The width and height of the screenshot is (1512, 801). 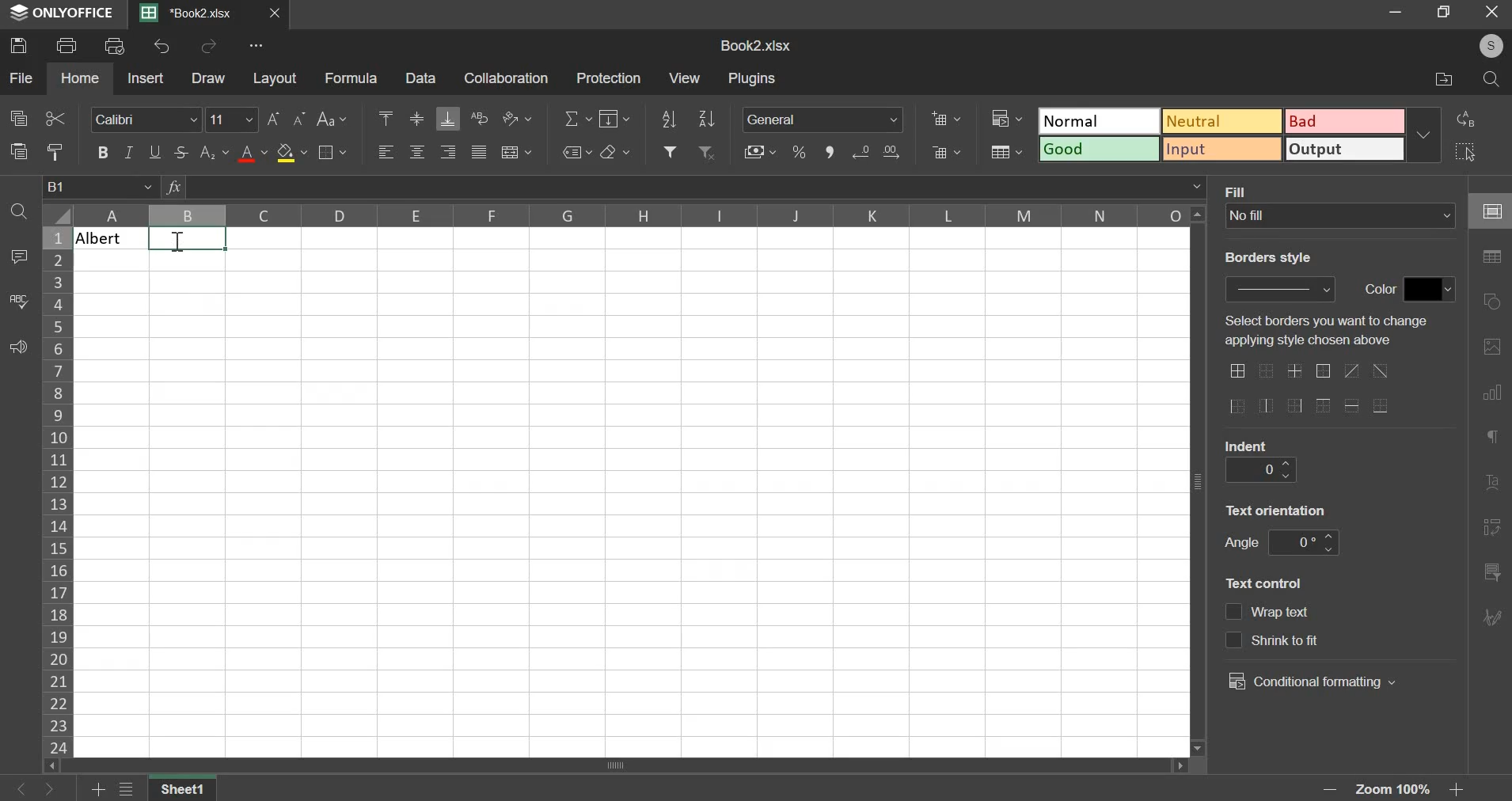 What do you see at coordinates (22, 255) in the screenshot?
I see `comment` at bounding box center [22, 255].